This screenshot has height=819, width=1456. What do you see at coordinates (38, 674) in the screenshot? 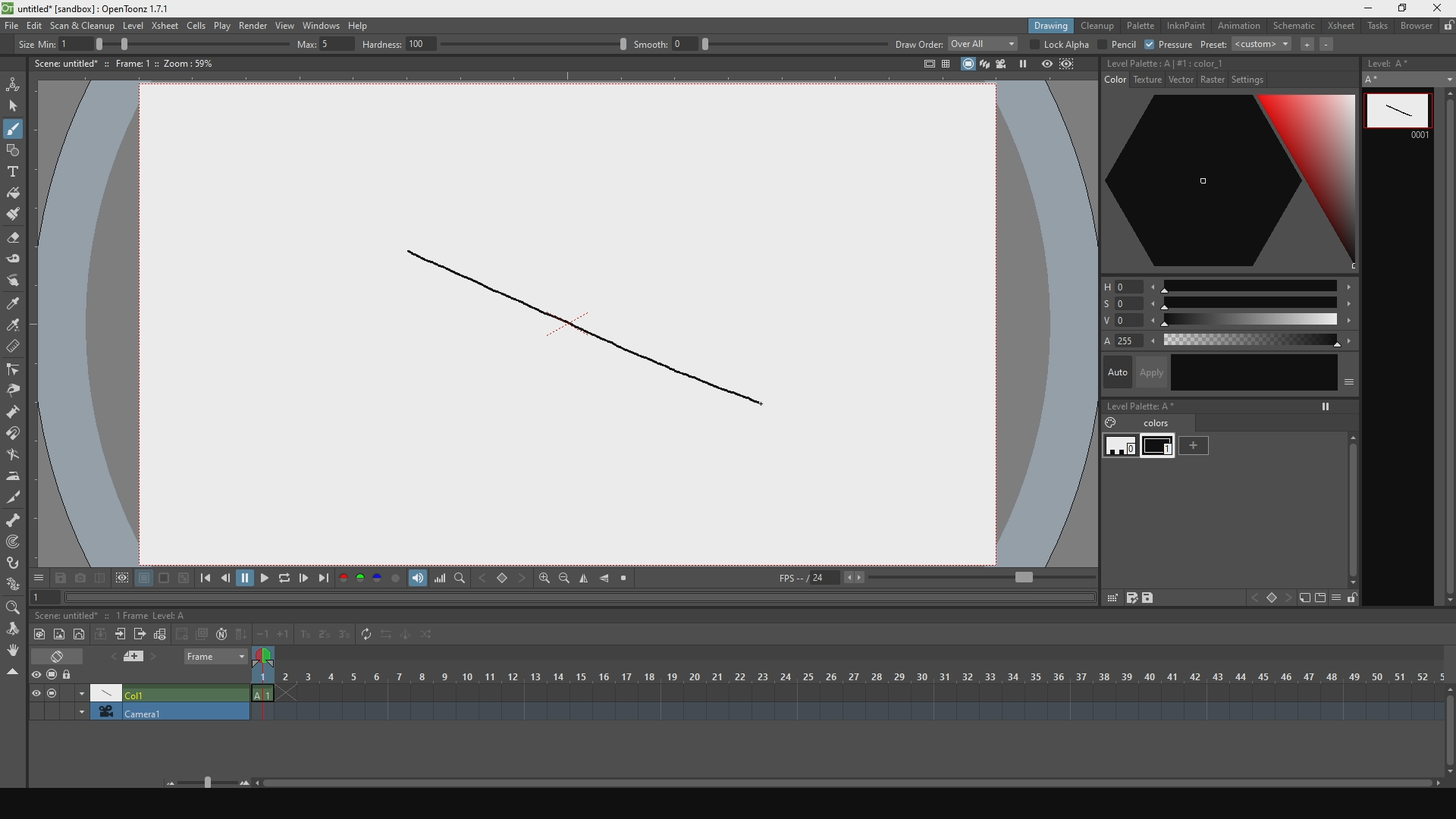
I see `preview` at bounding box center [38, 674].